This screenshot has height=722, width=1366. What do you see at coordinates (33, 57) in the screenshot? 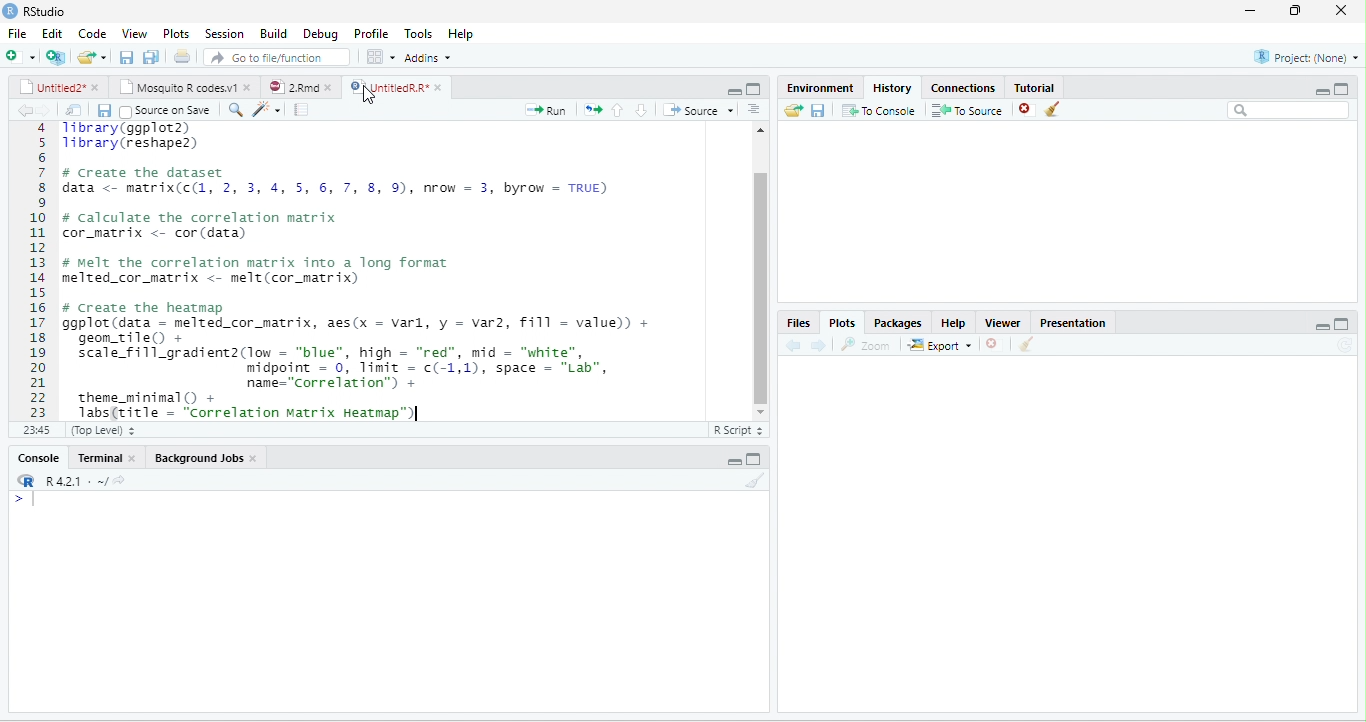
I see `add file` at bounding box center [33, 57].